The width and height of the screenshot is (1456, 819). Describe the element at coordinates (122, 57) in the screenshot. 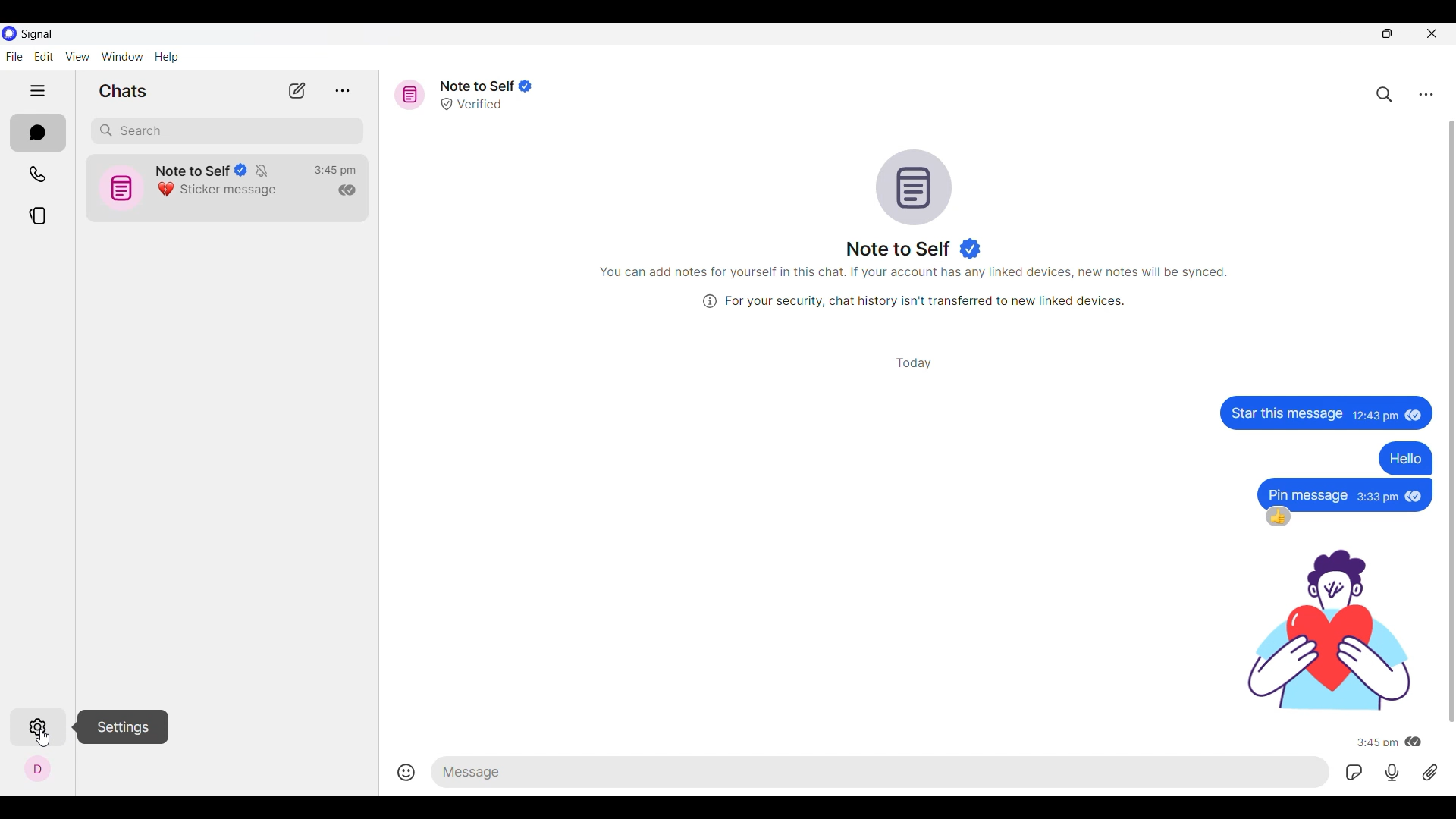

I see `Window menu` at that location.